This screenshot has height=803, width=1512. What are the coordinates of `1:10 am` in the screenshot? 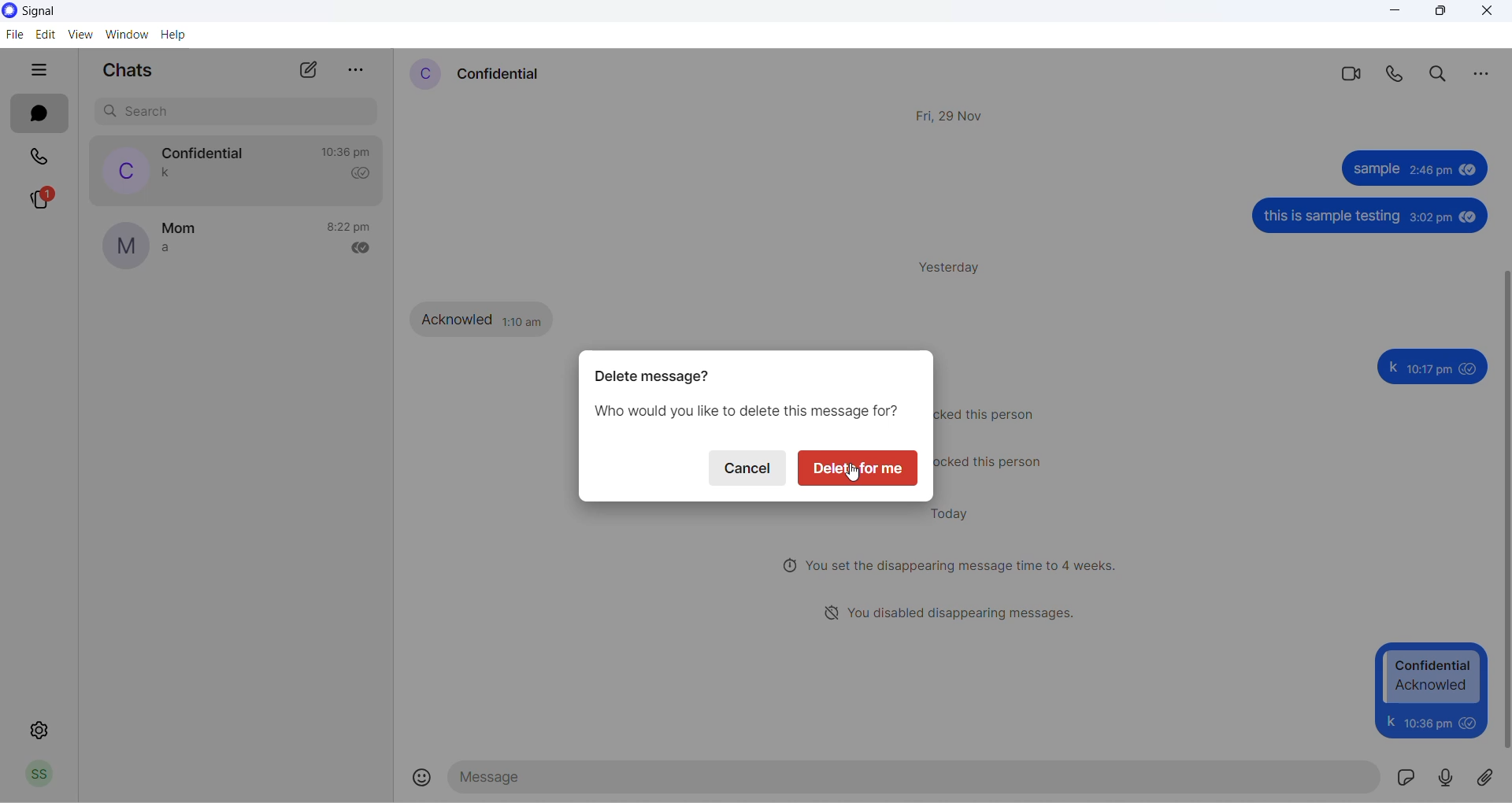 It's located at (525, 320).